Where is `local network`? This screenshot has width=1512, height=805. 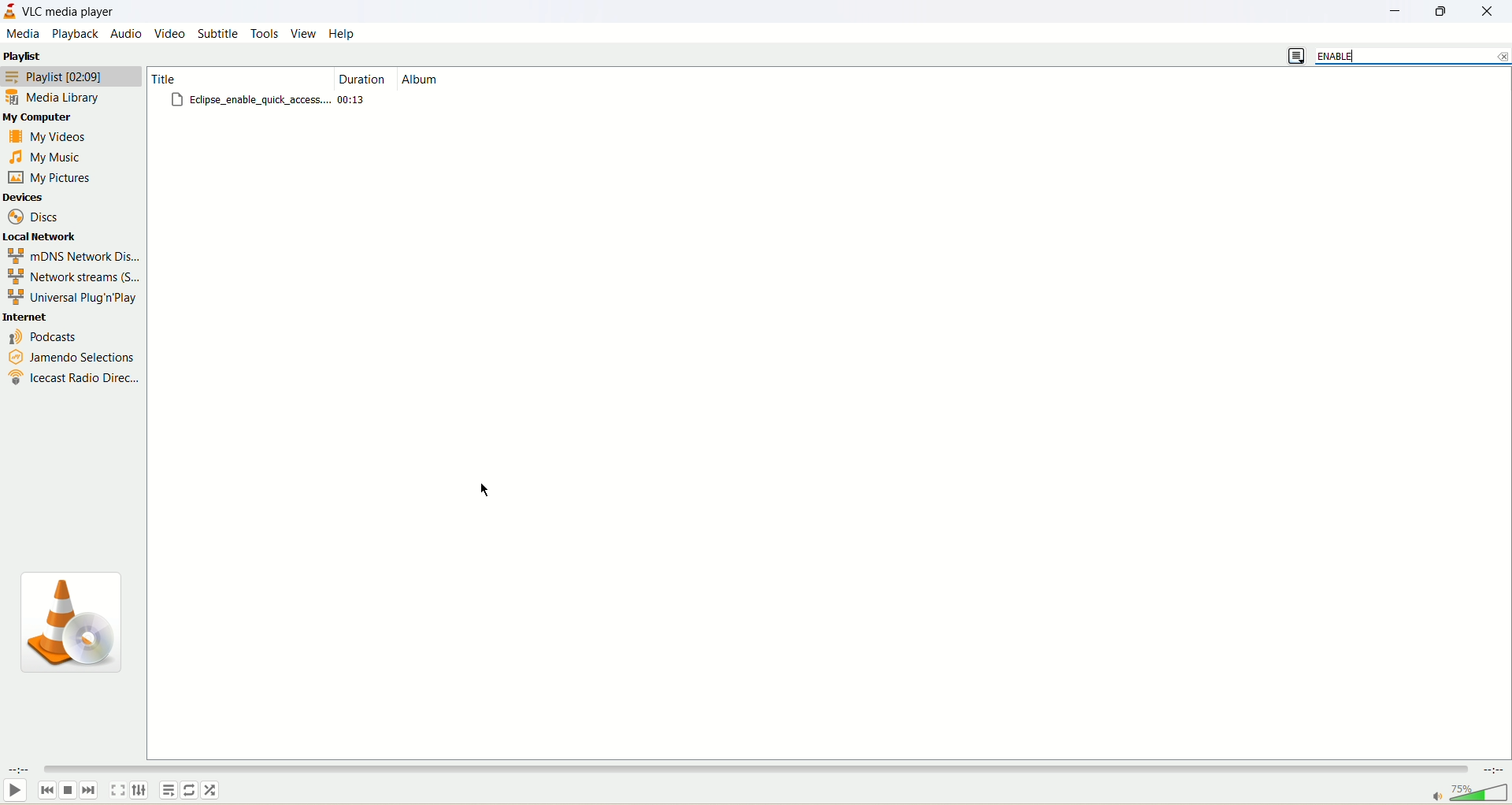
local network is located at coordinates (51, 235).